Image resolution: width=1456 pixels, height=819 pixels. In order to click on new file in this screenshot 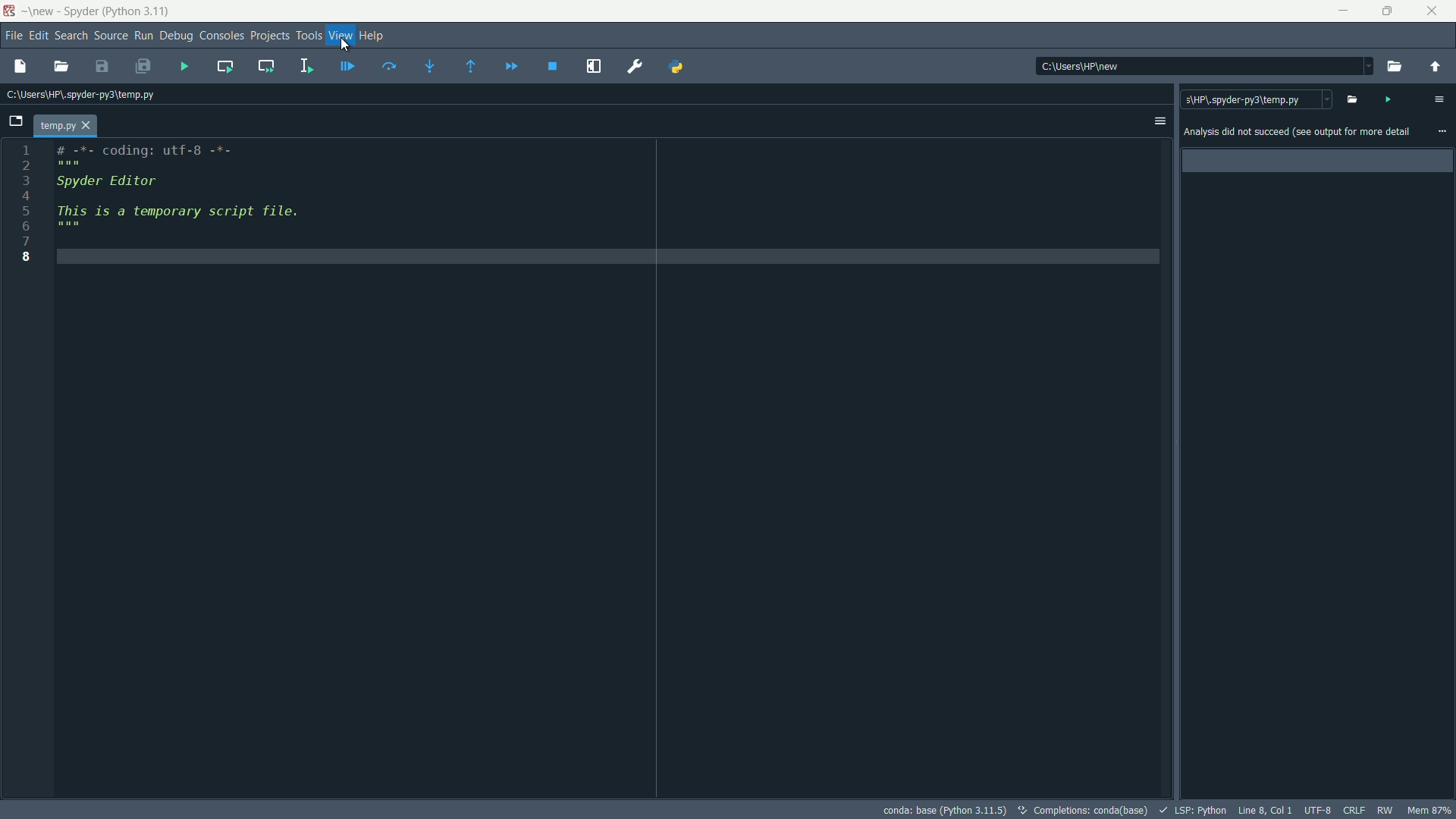, I will do `click(20, 67)`.